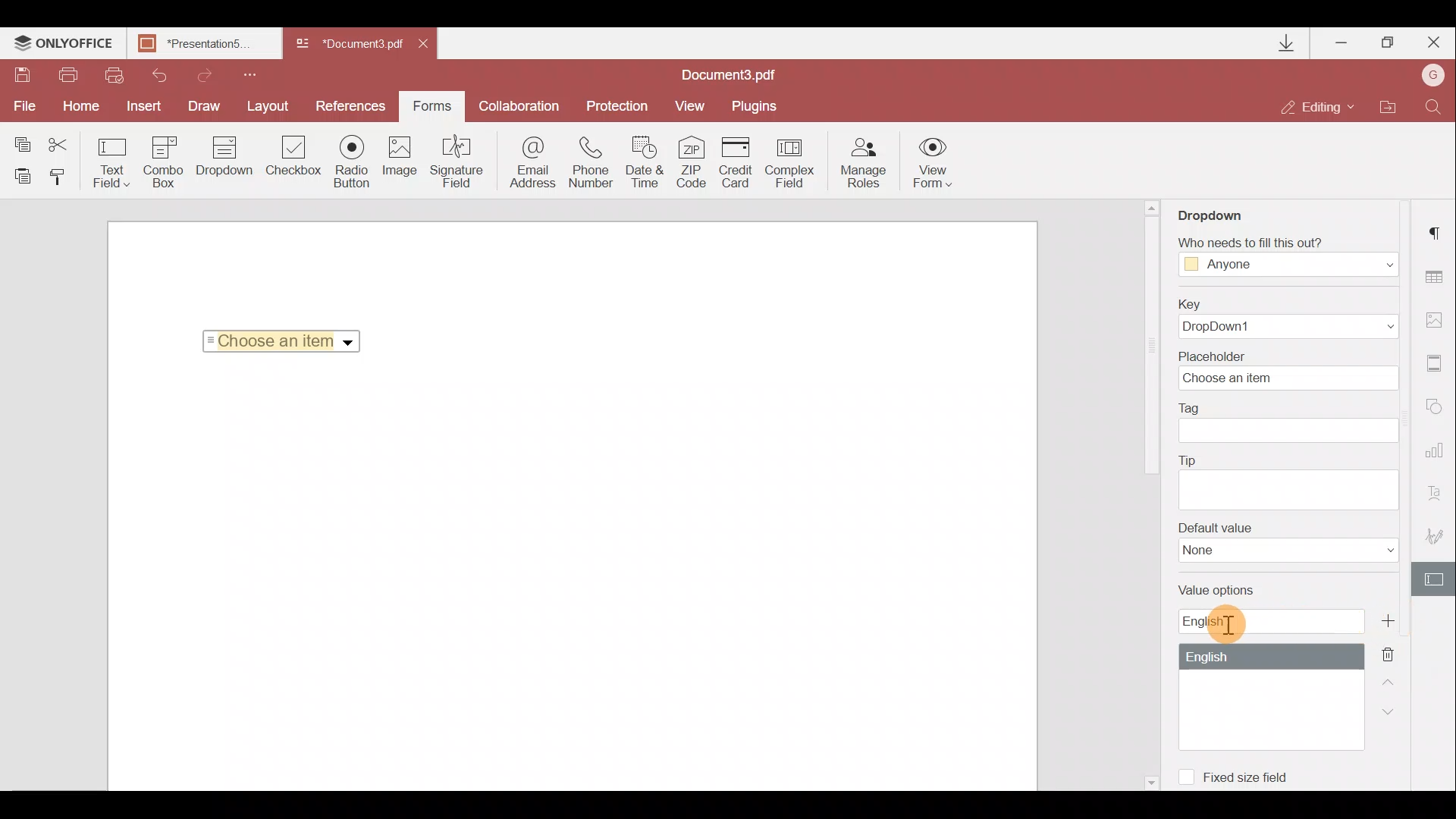 Image resolution: width=1456 pixels, height=819 pixels. What do you see at coordinates (23, 175) in the screenshot?
I see `Paste` at bounding box center [23, 175].